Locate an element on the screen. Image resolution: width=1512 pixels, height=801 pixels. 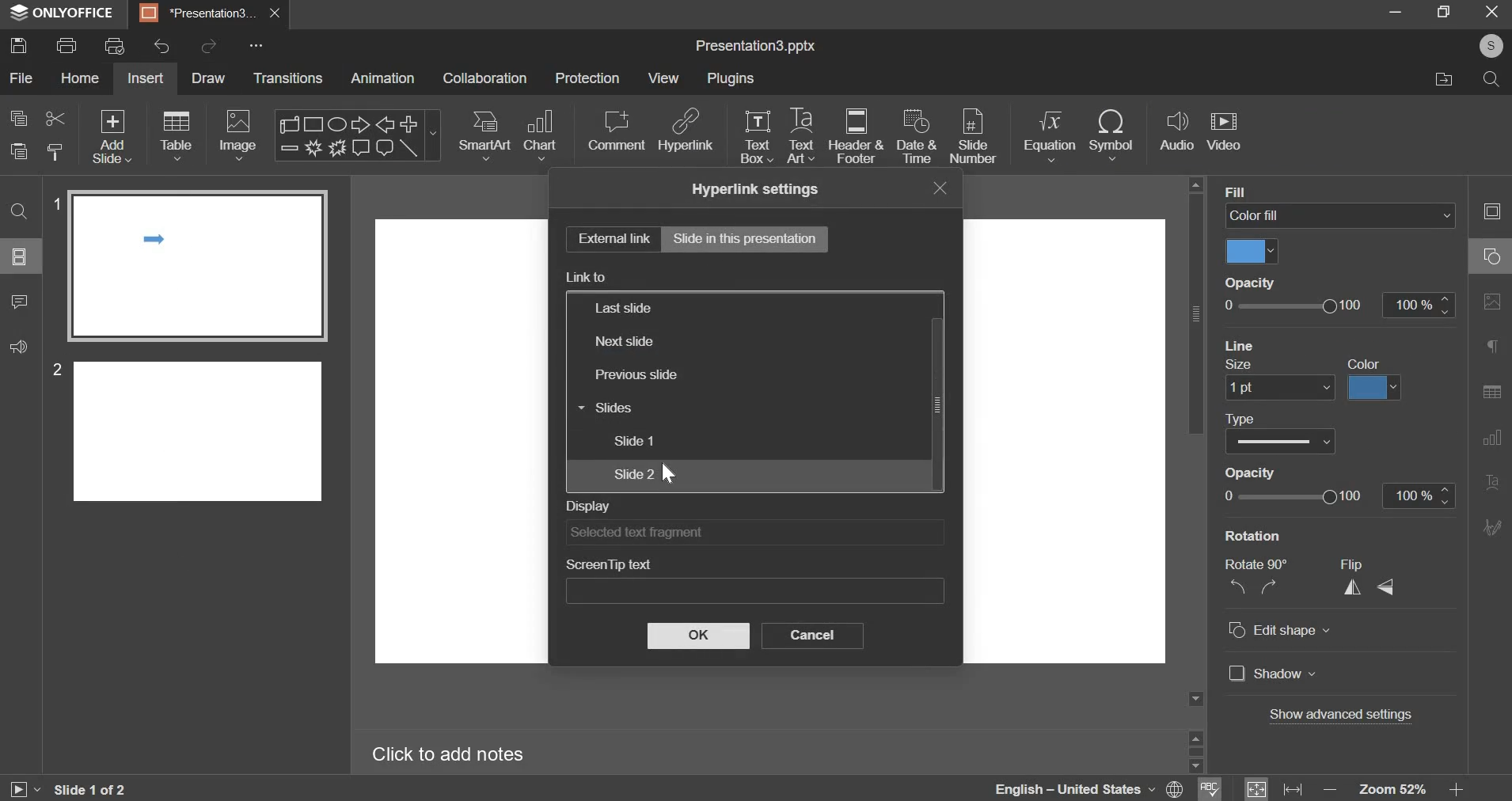
chart is located at coordinates (542, 135).